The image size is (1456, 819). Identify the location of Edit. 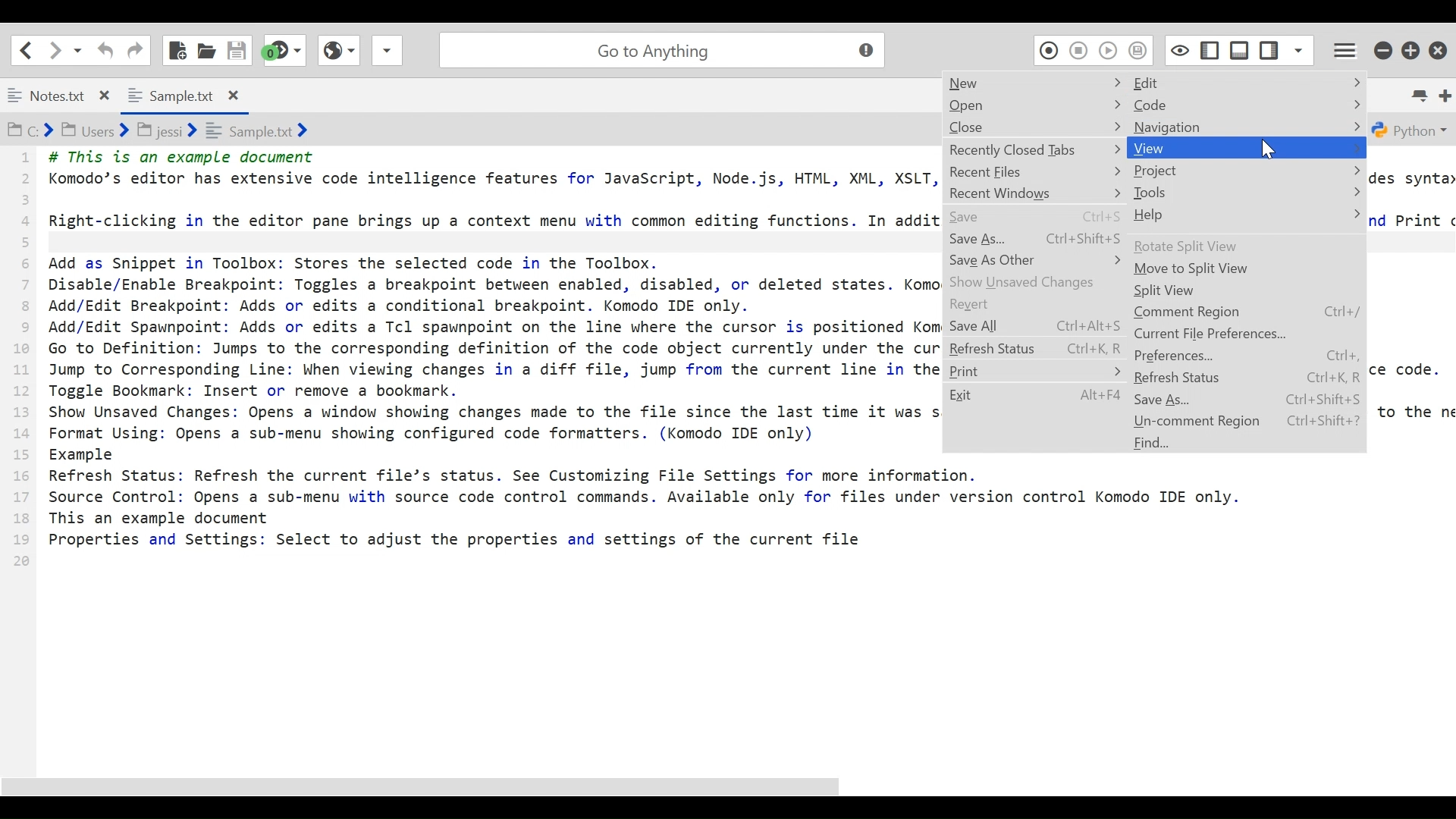
(1249, 83).